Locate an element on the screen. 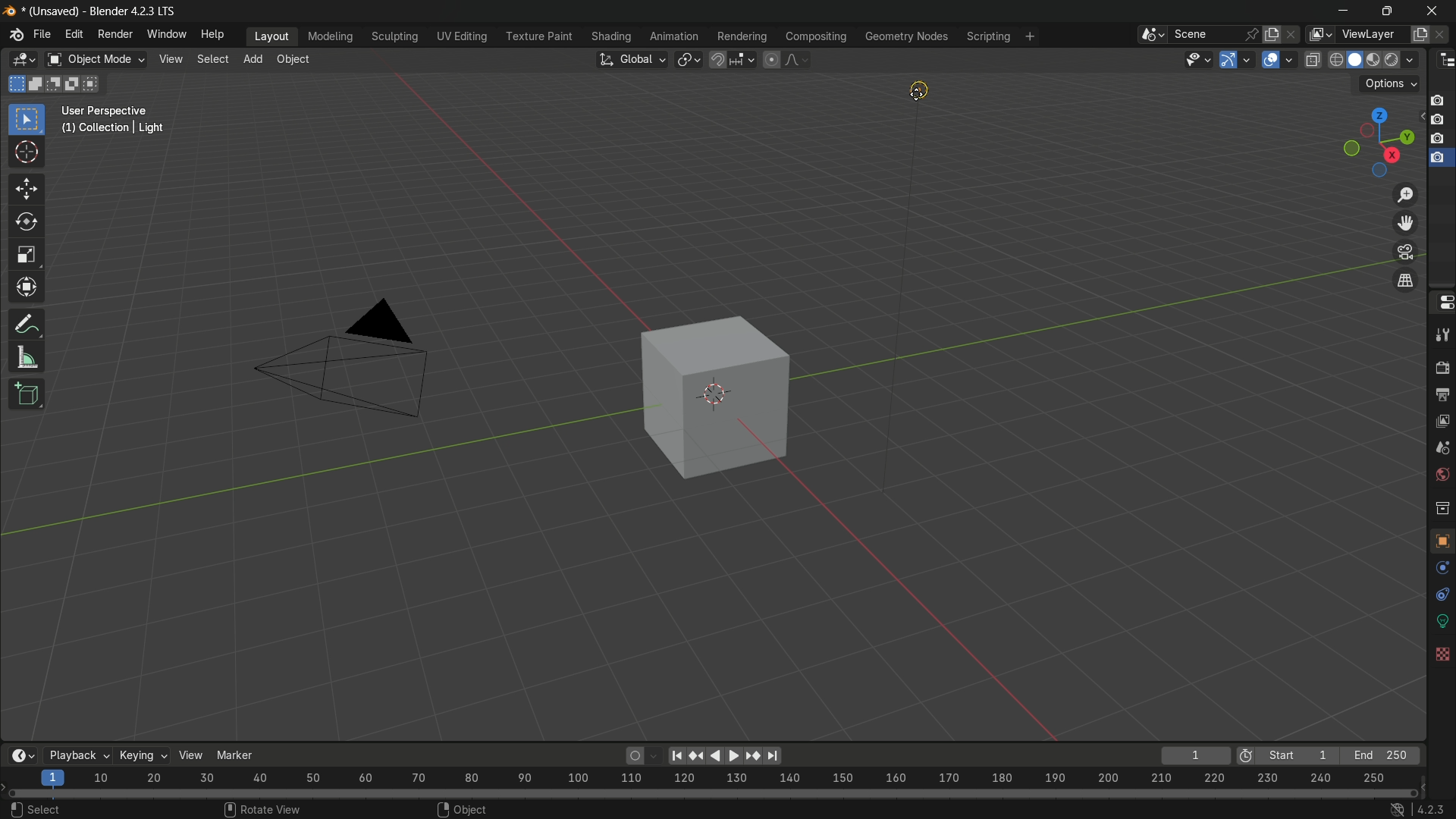 This screenshot has width=1456, height=819. wireframe is located at coordinates (1335, 61).